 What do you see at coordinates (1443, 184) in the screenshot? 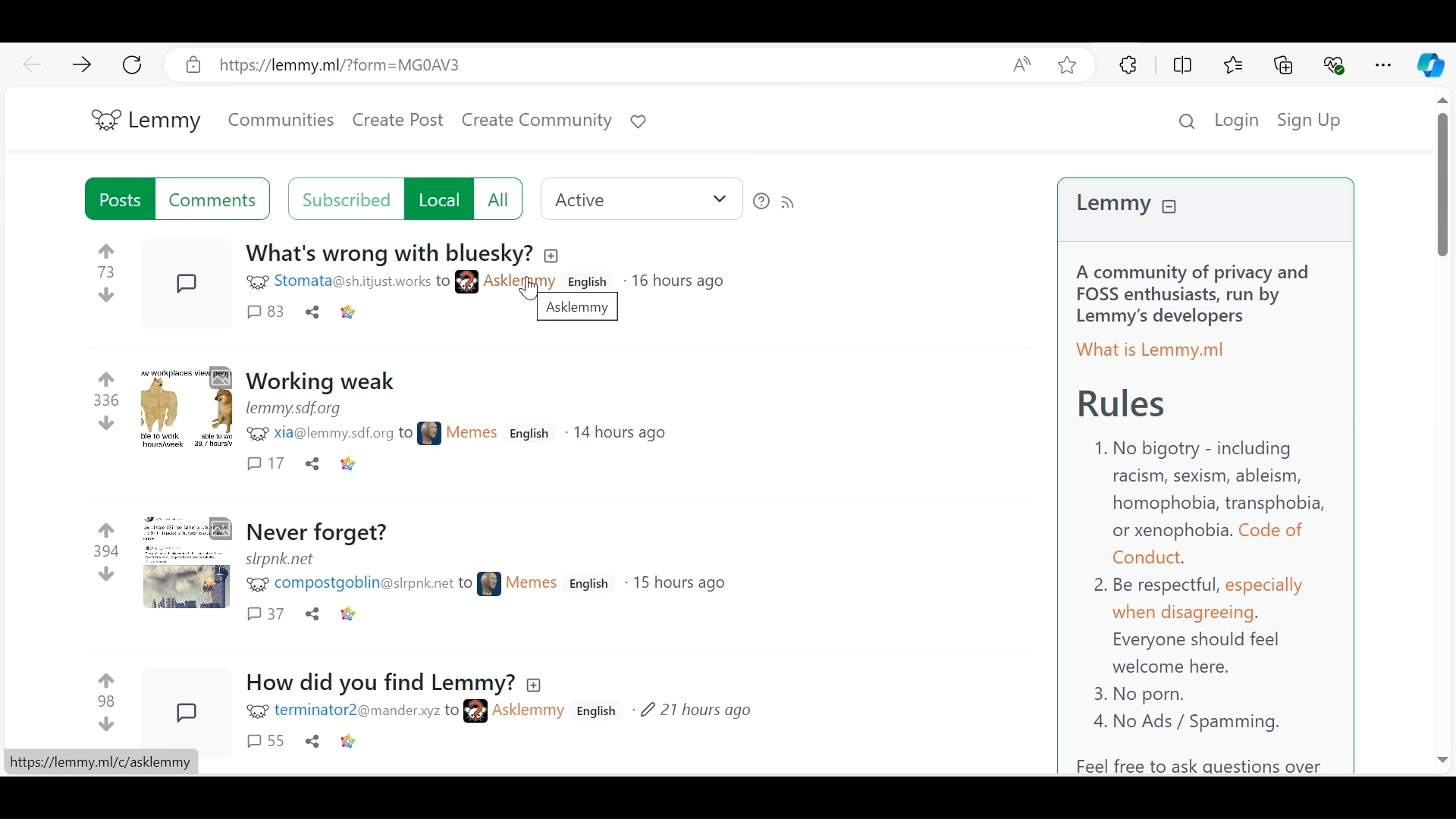
I see `Vertical Scroll bar` at bounding box center [1443, 184].